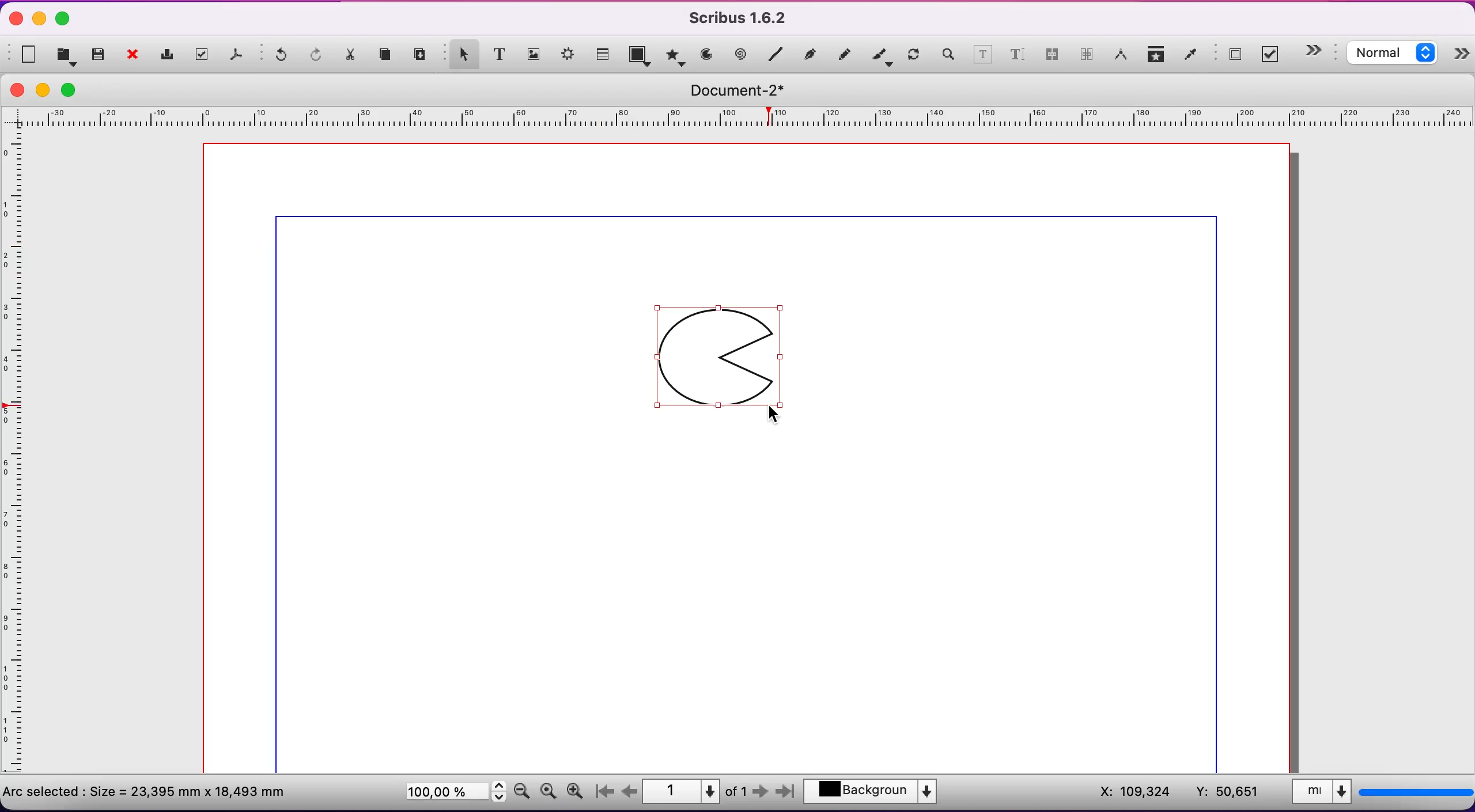  I want to click on edit contents of a frame, so click(983, 56).